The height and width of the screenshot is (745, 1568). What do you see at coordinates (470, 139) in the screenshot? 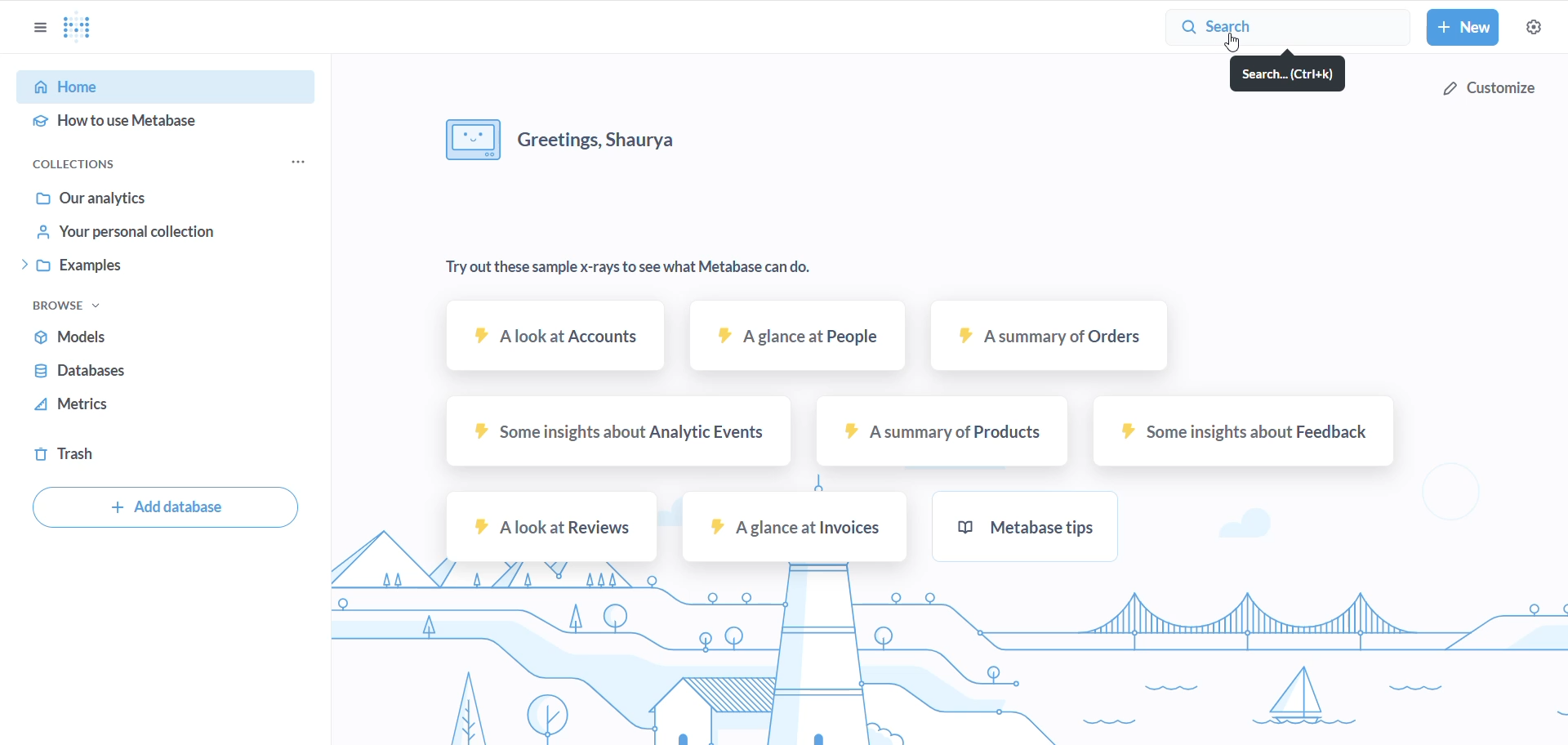
I see `image` at bounding box center [470, 139].